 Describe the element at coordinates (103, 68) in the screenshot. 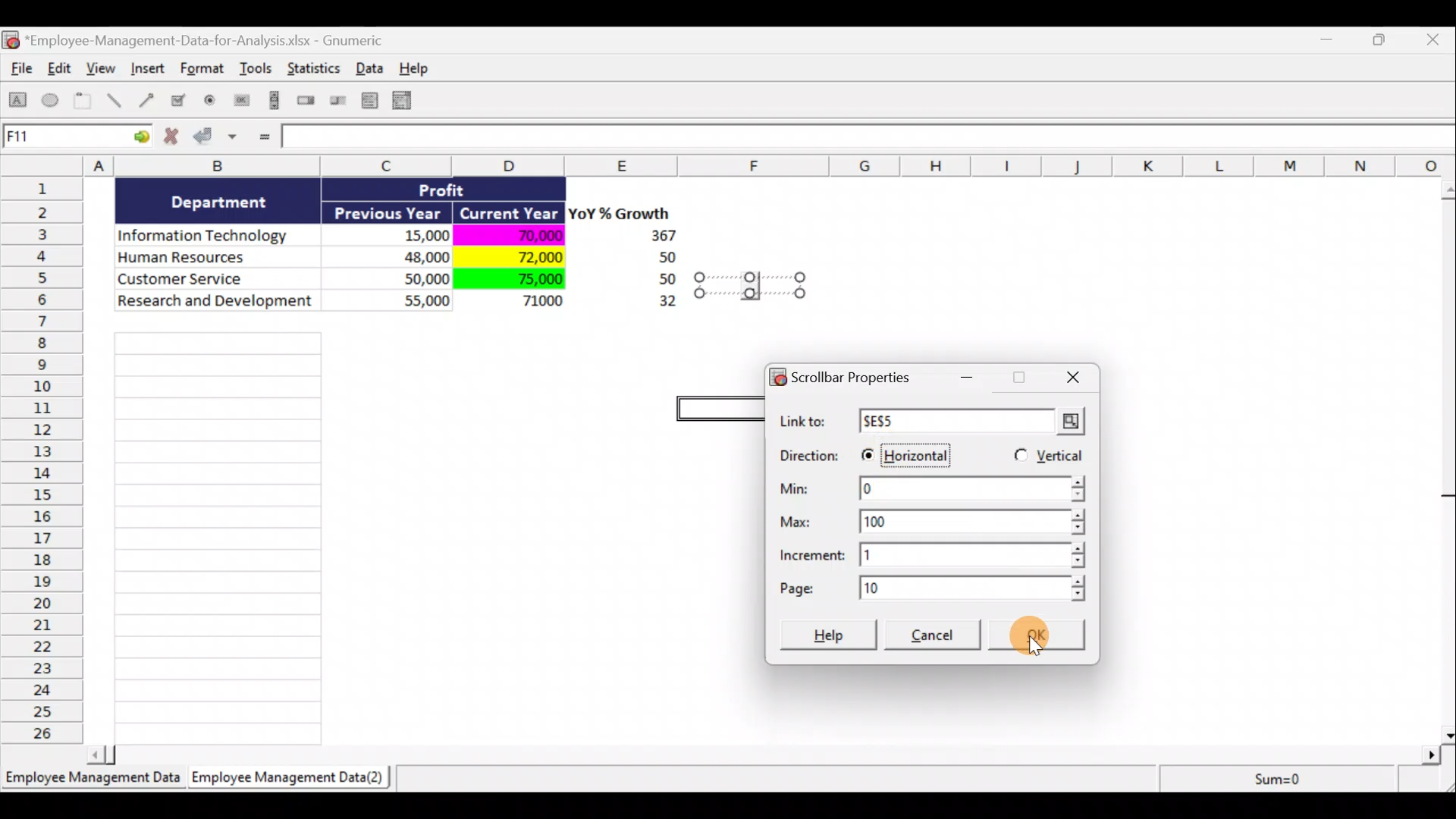

I see `View` at that location.